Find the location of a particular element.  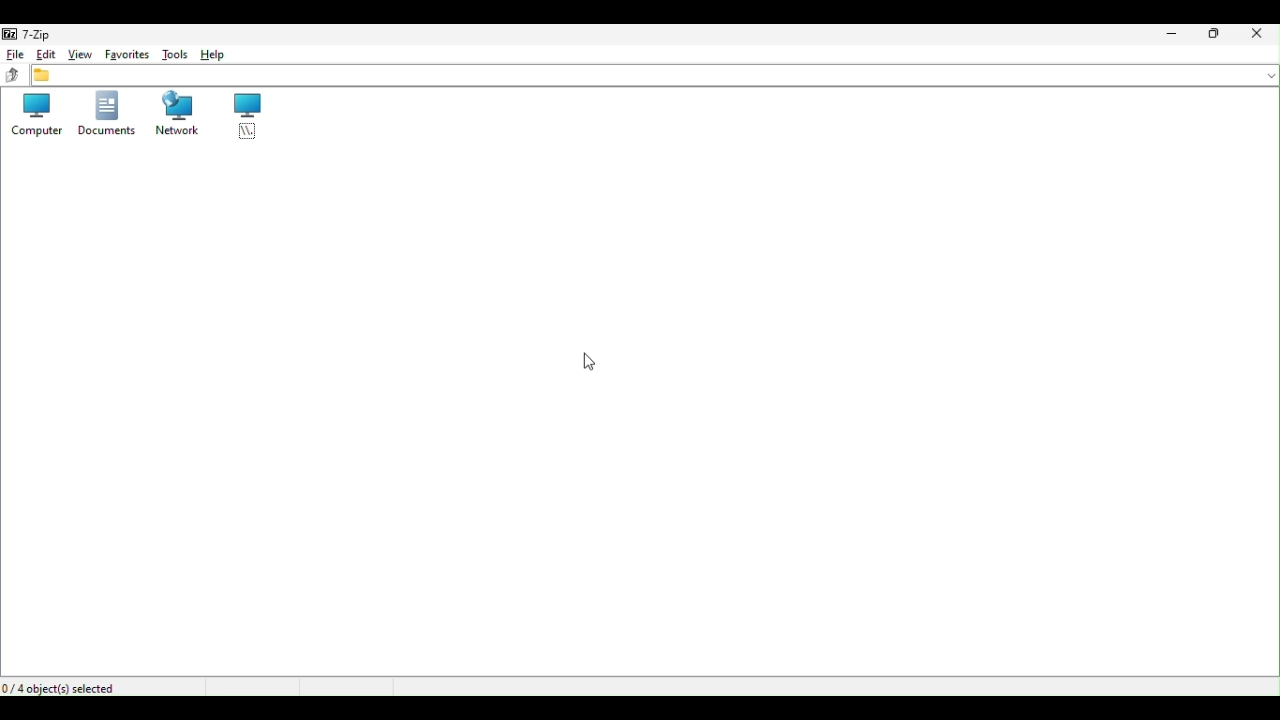

Network is located at coordinates (172, 114).